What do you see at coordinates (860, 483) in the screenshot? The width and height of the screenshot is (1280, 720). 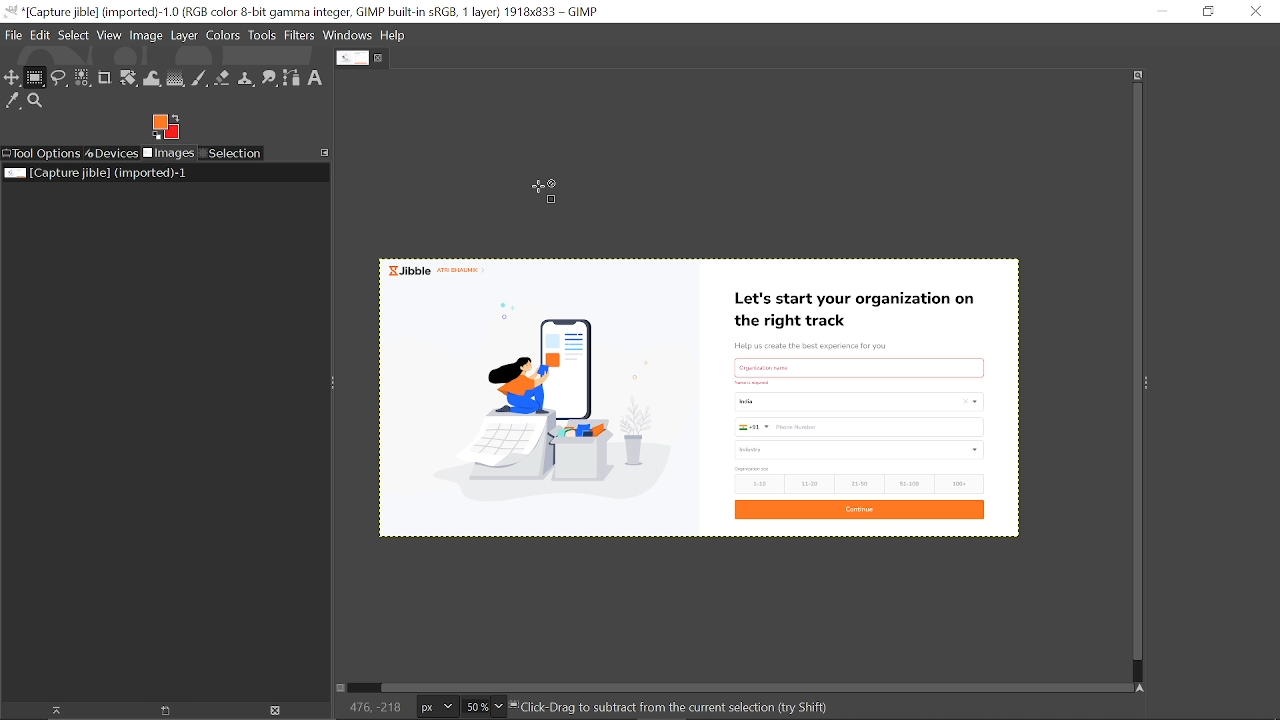 I see `21-50` at bounding box center [860, 483].